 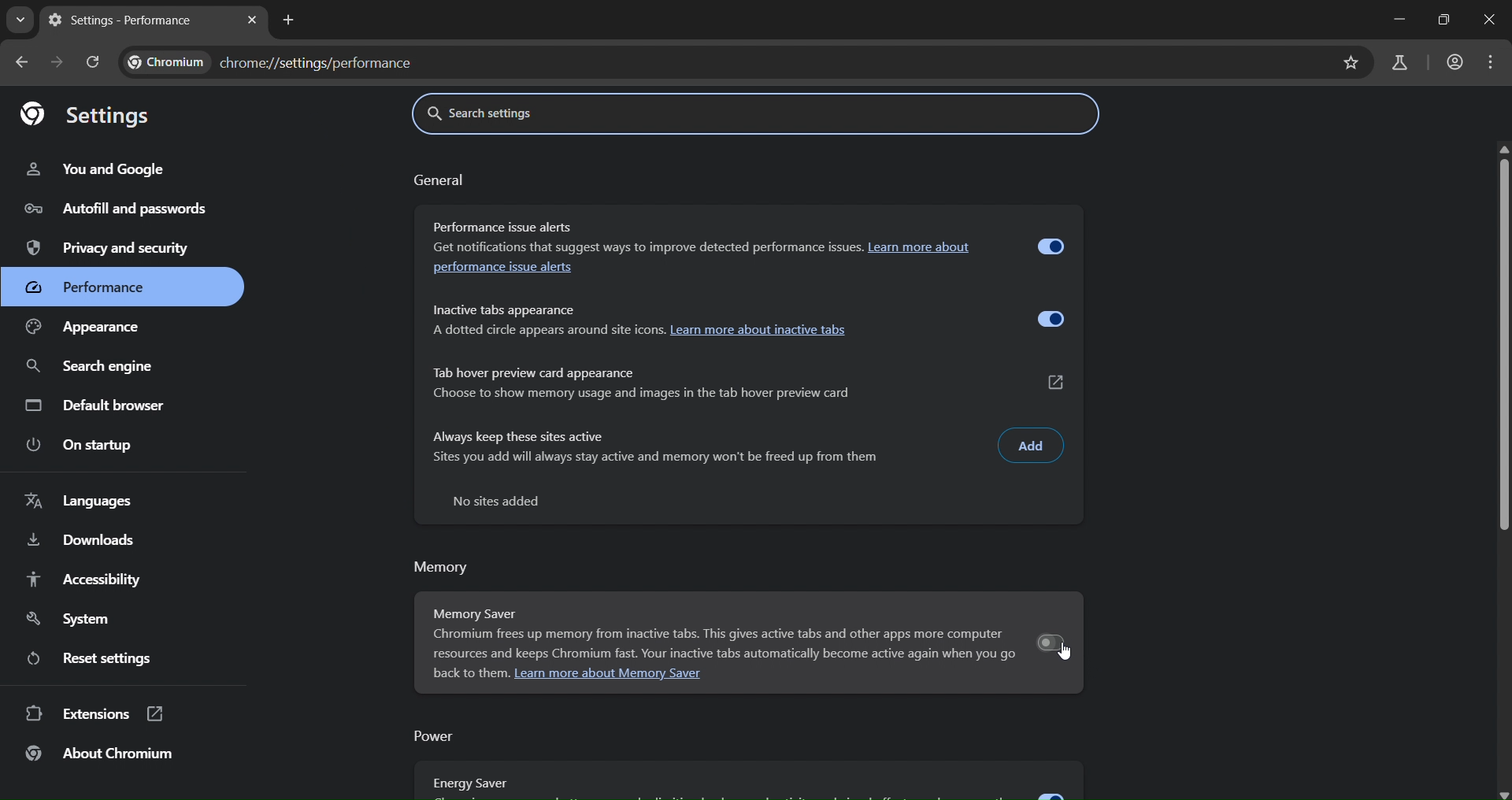 I want to click on cursor, so click(x=1065, y=650).